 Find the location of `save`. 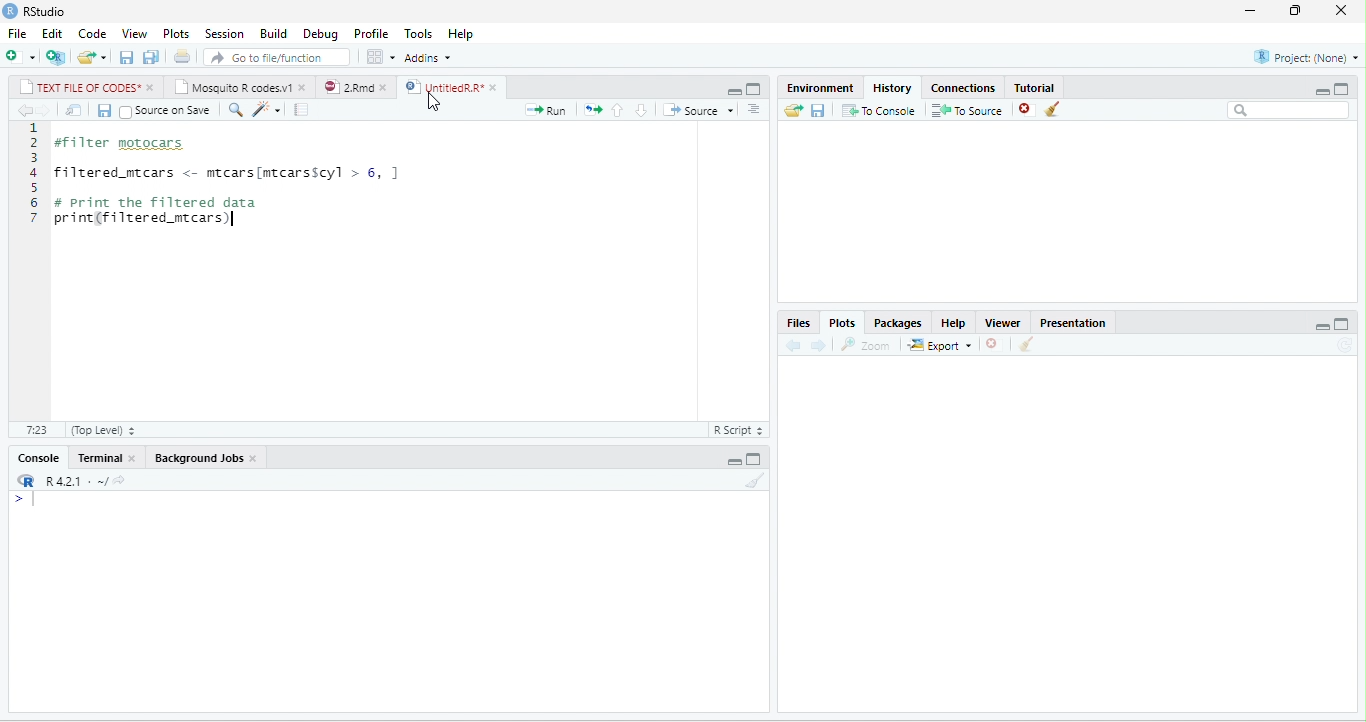

save is located at coordinates (104, 111).